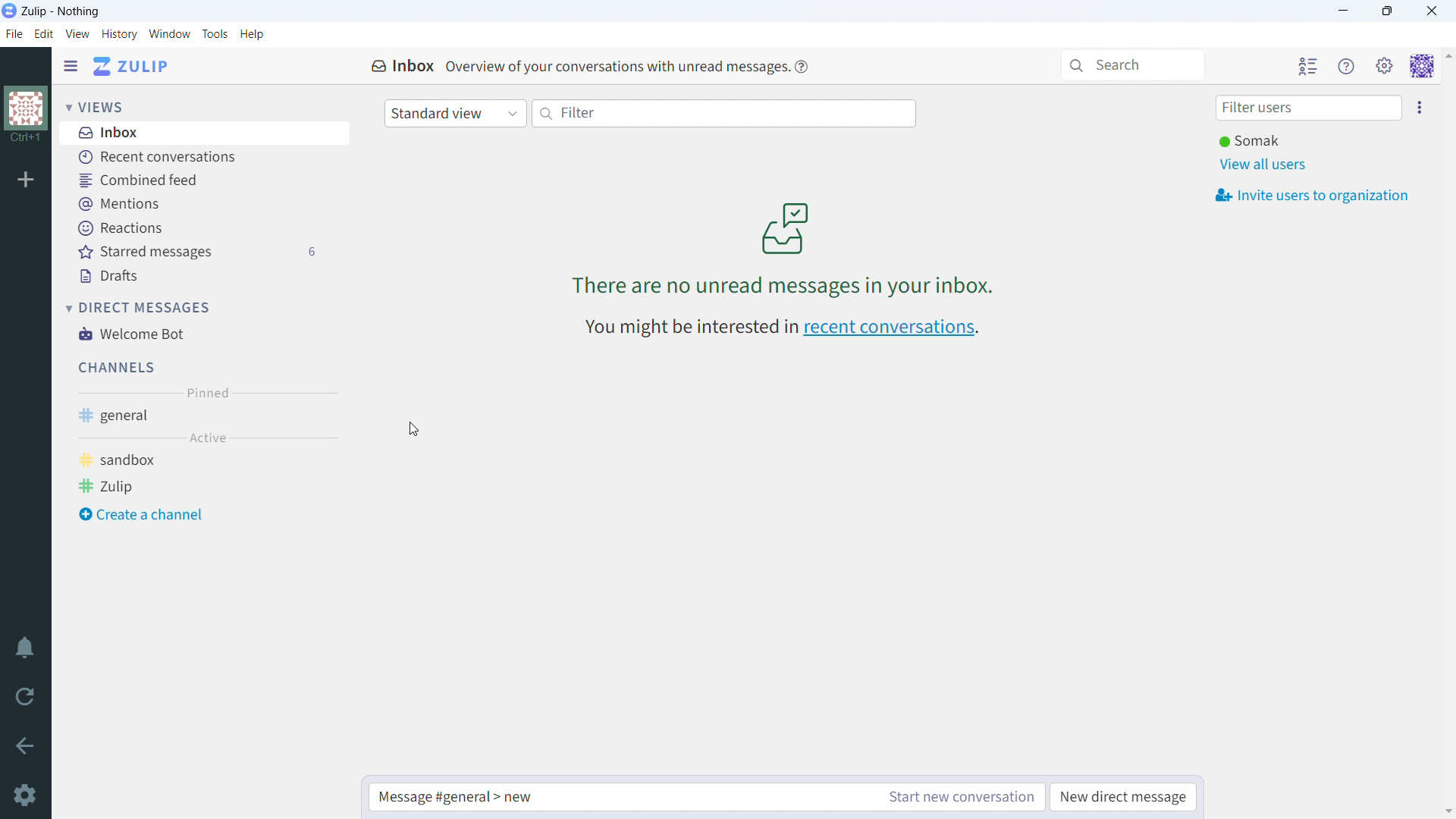 The image size is (1456, 819). What do you see at coordinates (191, 416) in the screenshot?
I see `general` at bounding box center [191, 416].